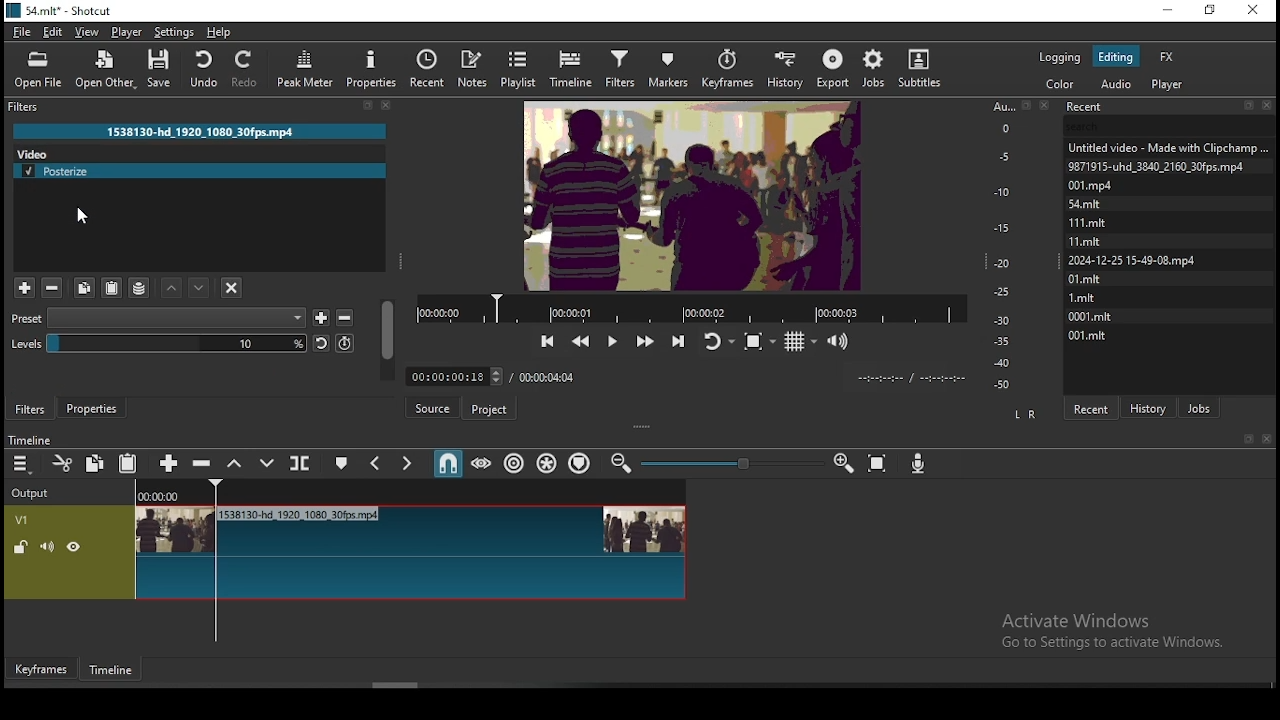 This screenshot has width=1280, height=720. What do you see at coordinates (920, 69) in the screenshot?
I see `subtitles` at bounding box center [920, 69].